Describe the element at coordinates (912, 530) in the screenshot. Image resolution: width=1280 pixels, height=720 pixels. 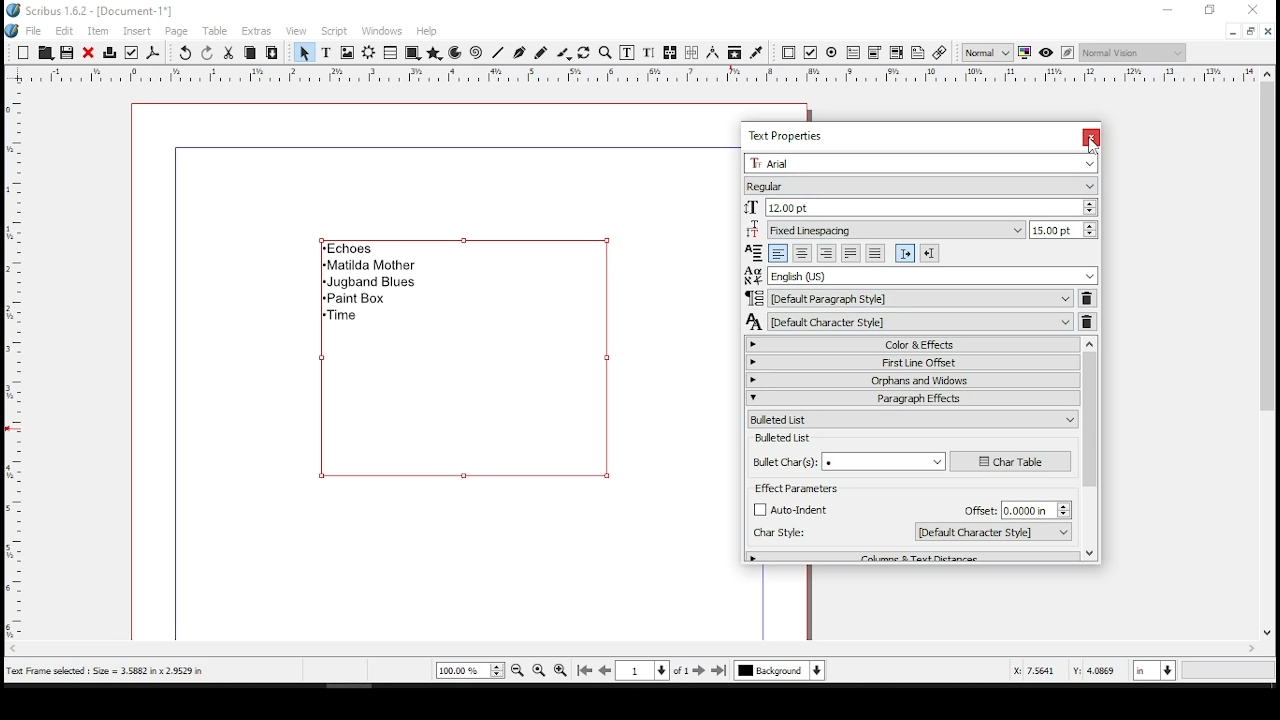
I see `character style` at that location.